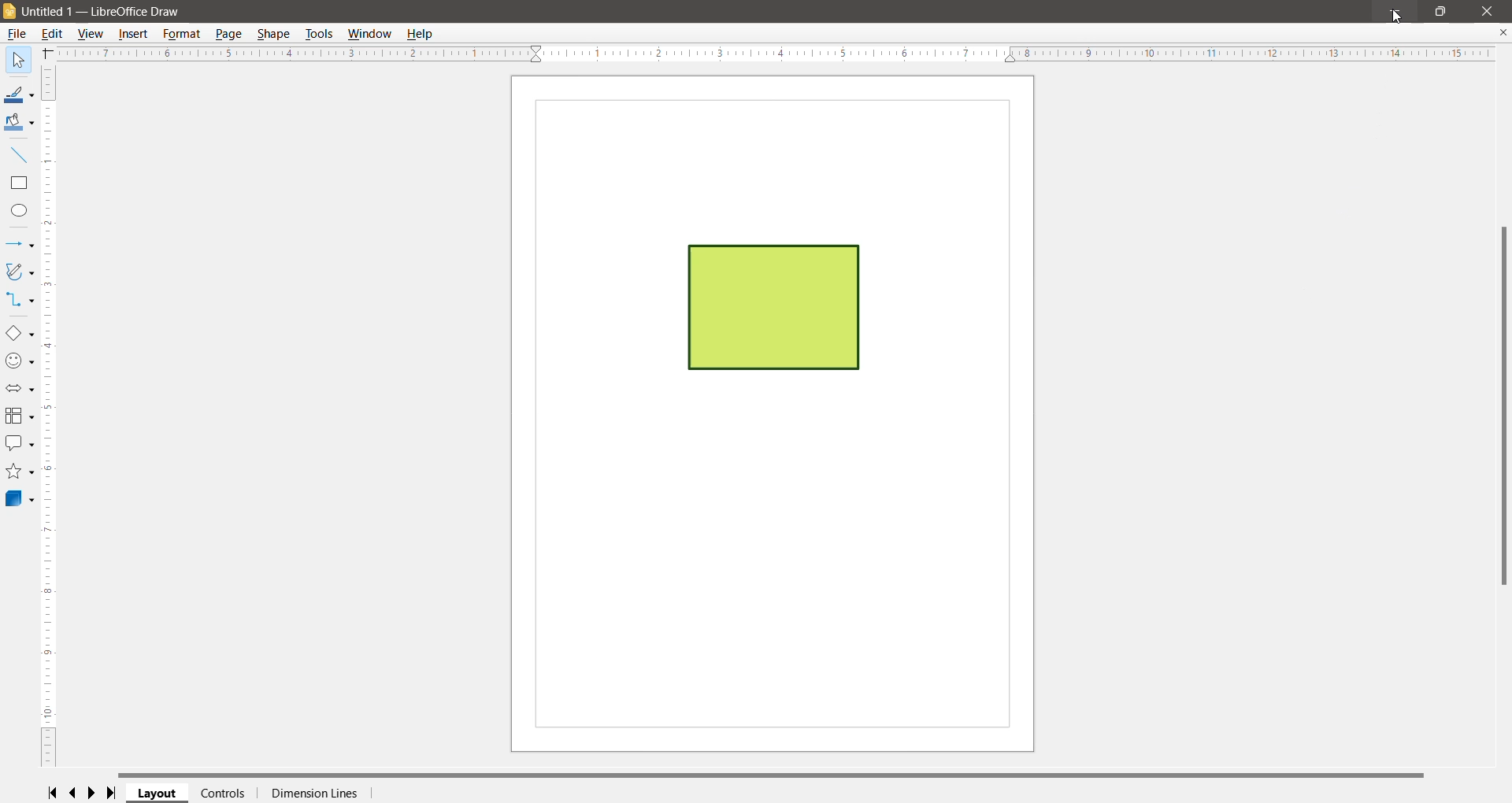 The image size is (1512, 803). Describe the element at coordinates (19, 272) in the screenshot. I see `Curves and Polygons` at that location.